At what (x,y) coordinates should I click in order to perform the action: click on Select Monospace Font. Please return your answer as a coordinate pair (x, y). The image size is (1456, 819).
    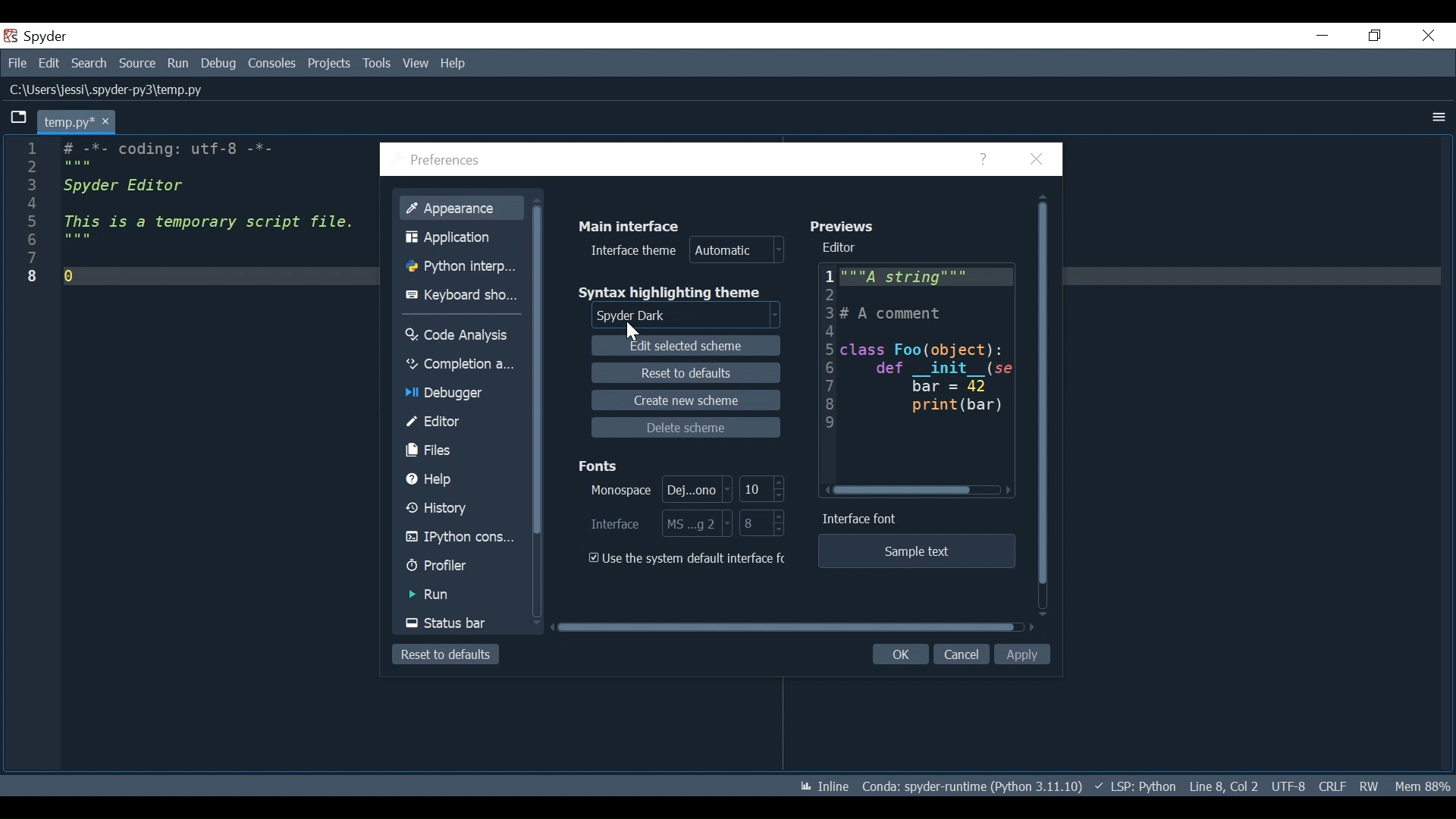
    Looking at the image, I should click on (658, 489).